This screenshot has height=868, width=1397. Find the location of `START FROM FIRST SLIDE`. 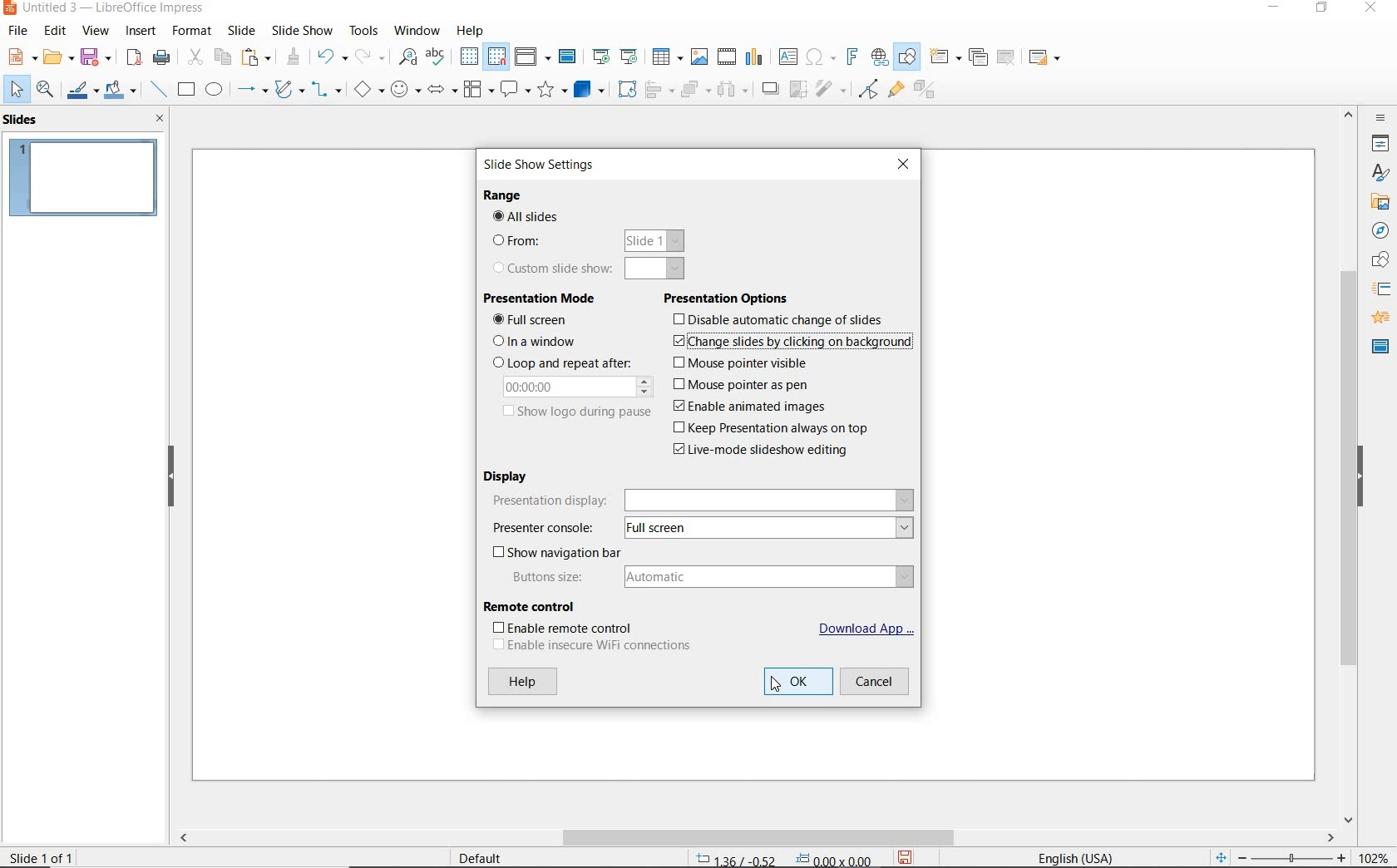

START FROM FIRST SLIDE is located at coordinates (600, 57).